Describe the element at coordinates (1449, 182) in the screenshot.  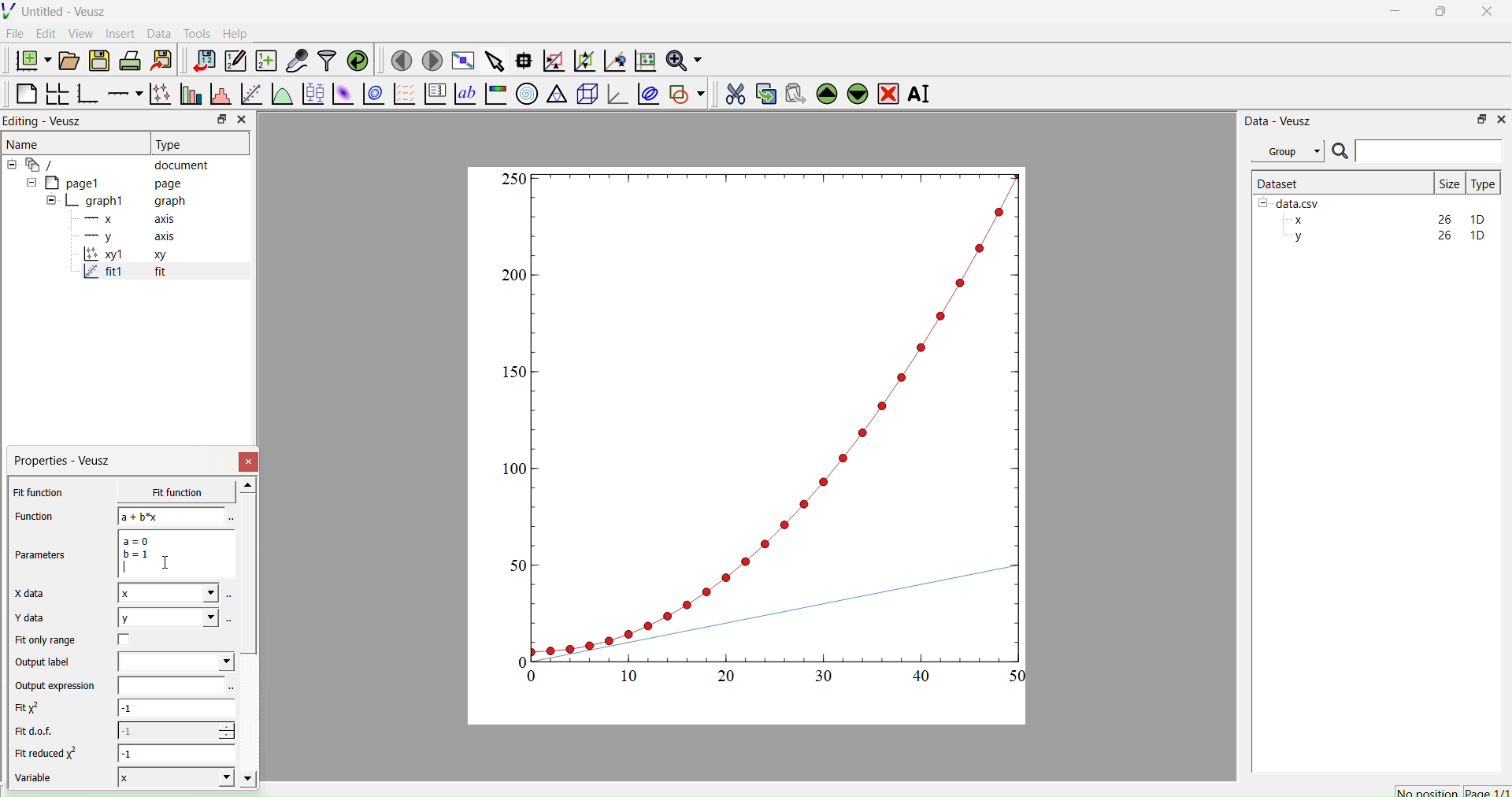
I see `| Size` at that location.